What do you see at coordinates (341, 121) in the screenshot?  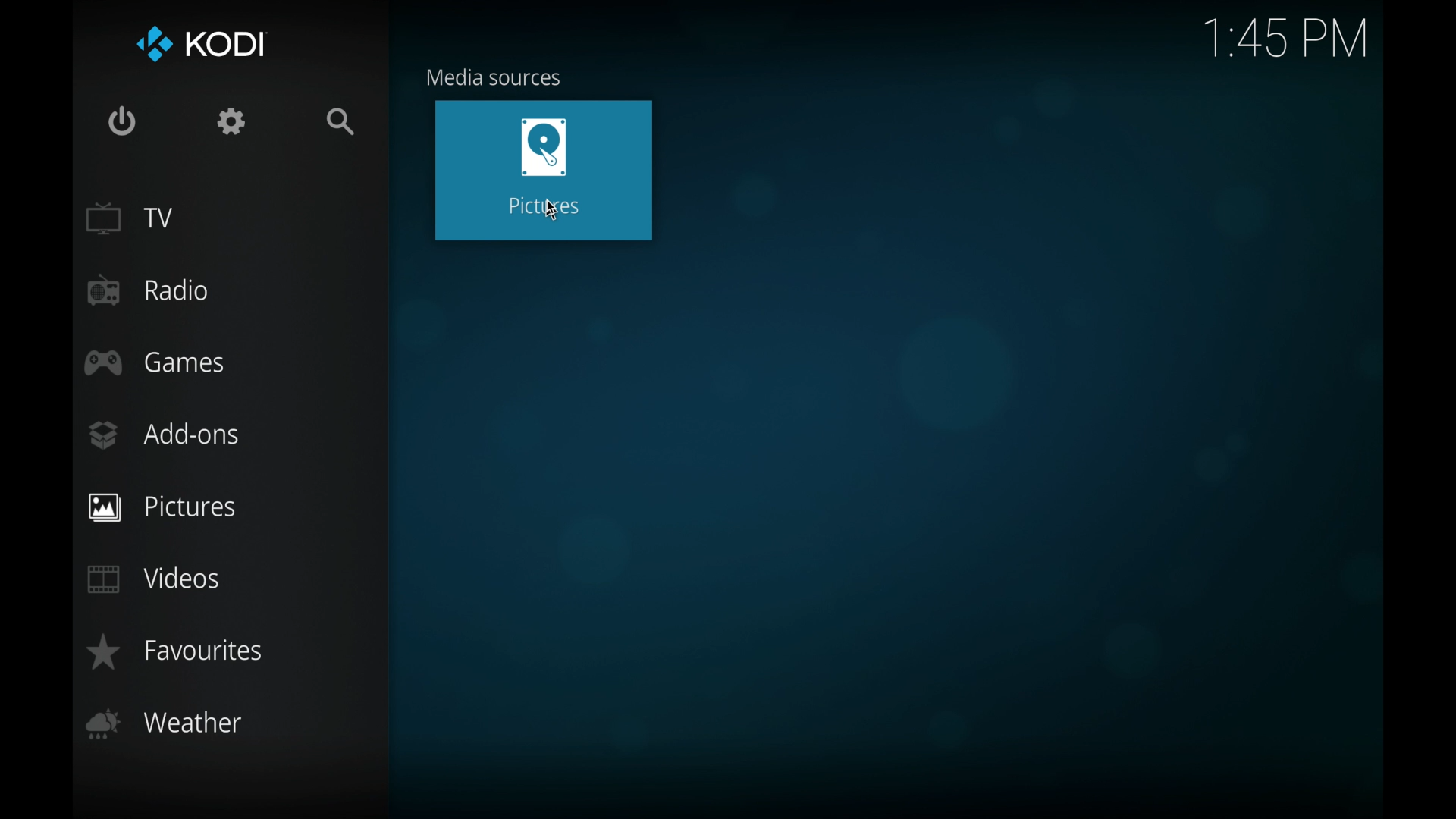 I see `search` at bounding box center [341, 121].